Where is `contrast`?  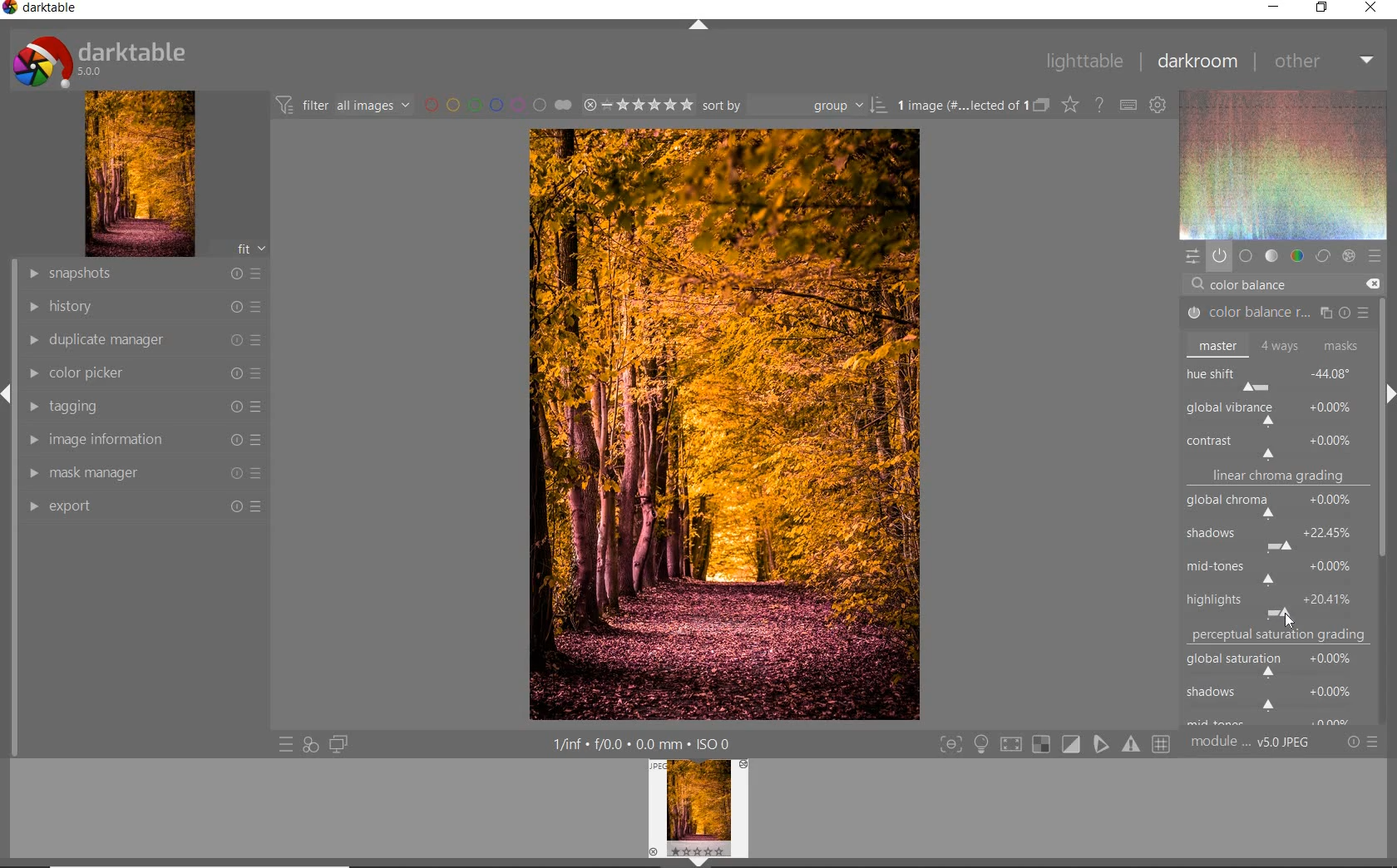 contrast is located at coordinates (1276, 445).